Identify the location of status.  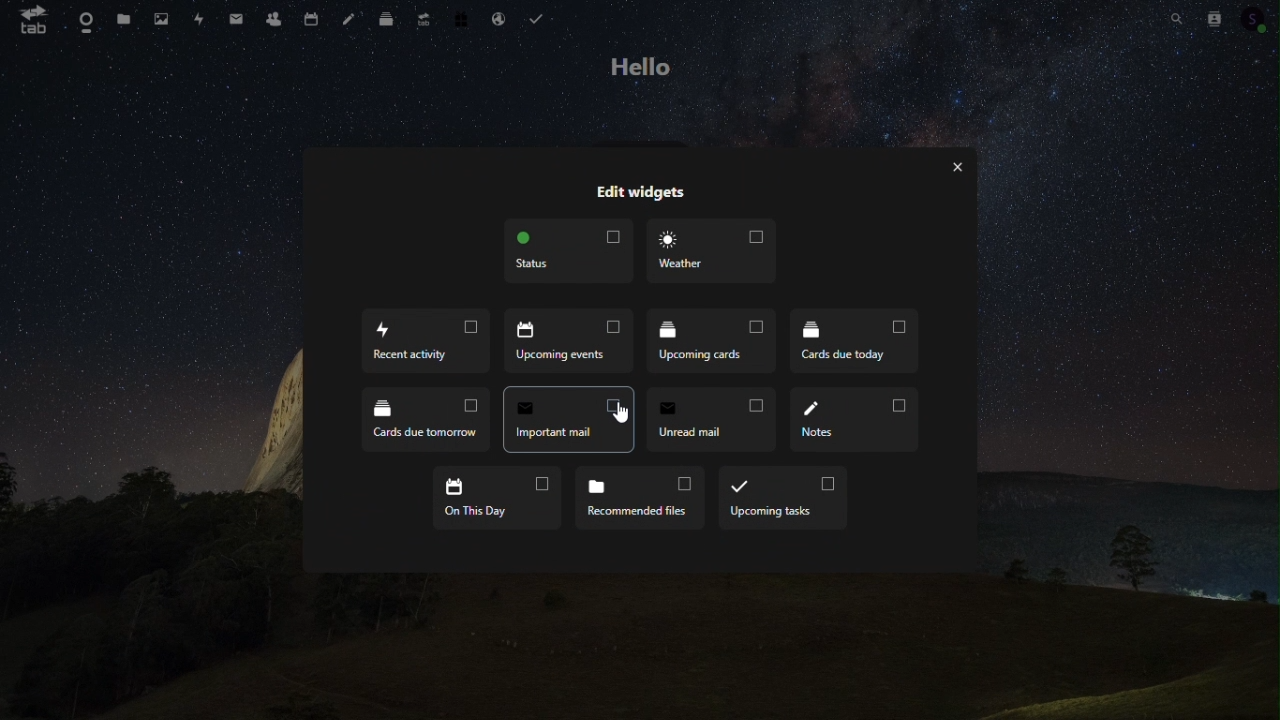
(570, 251).